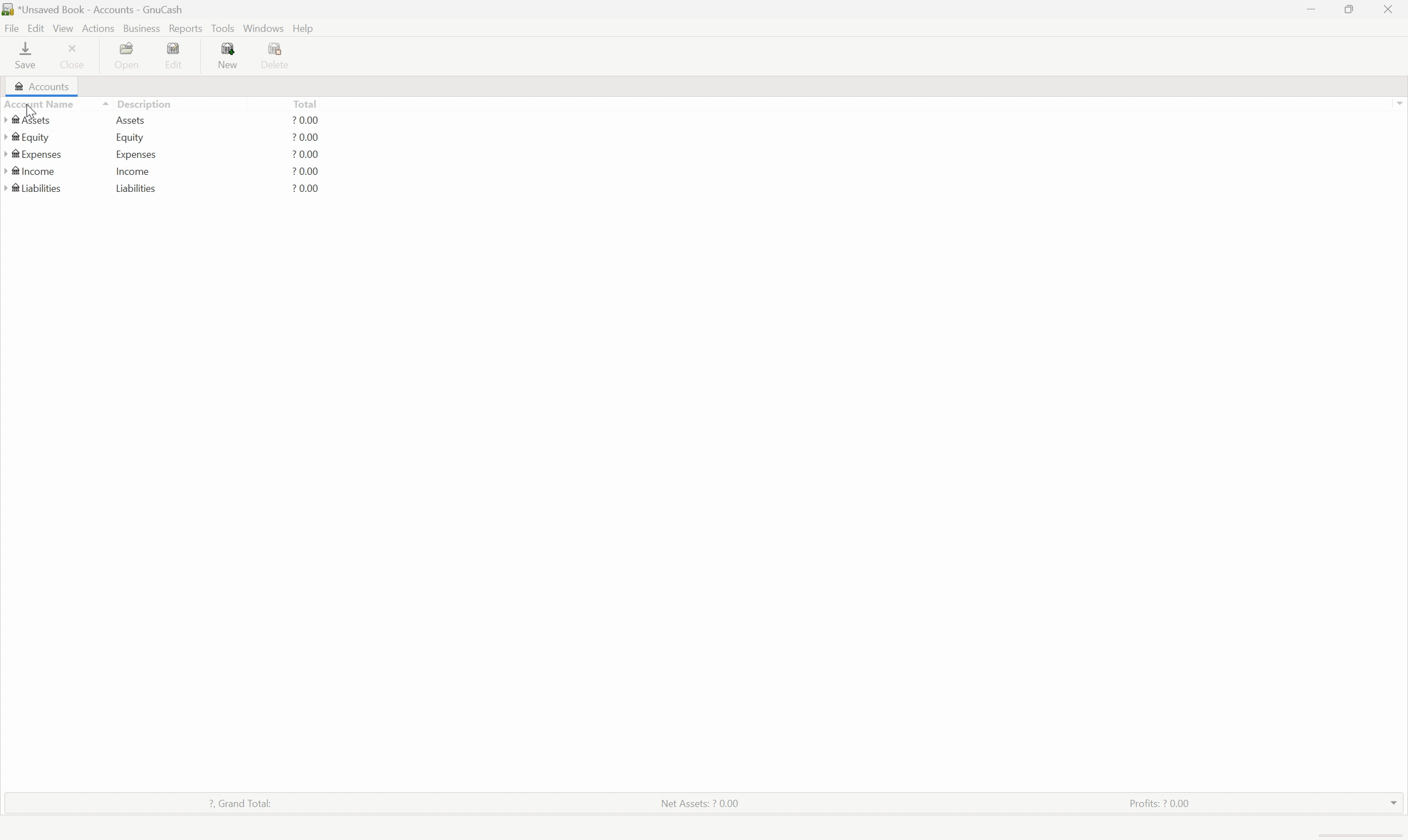 The width and height of the screenshot is (1408, 840). What do you see at coordinates (1390, 803) in the screenshot?
I see `drop down` at bounding box center [1390, 803].